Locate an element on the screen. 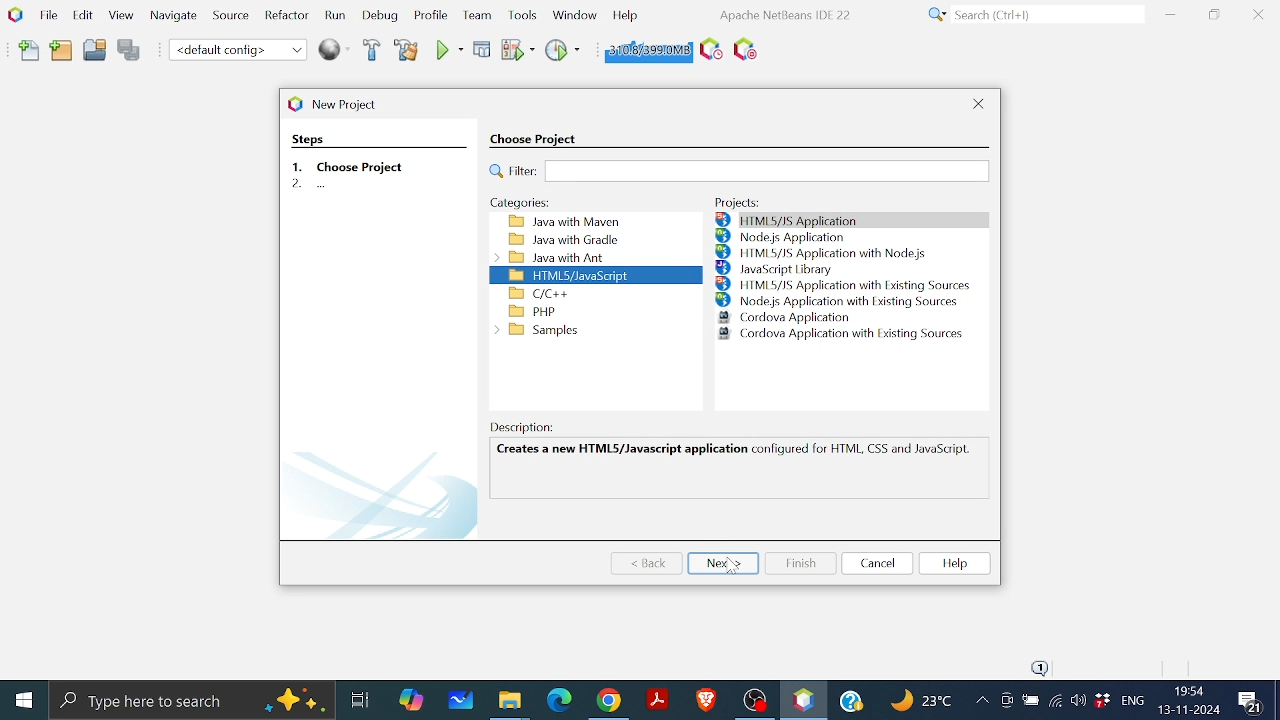 The width and height of the screenshot is (1280, 720). Cancel is located at coordinates (877, 564).